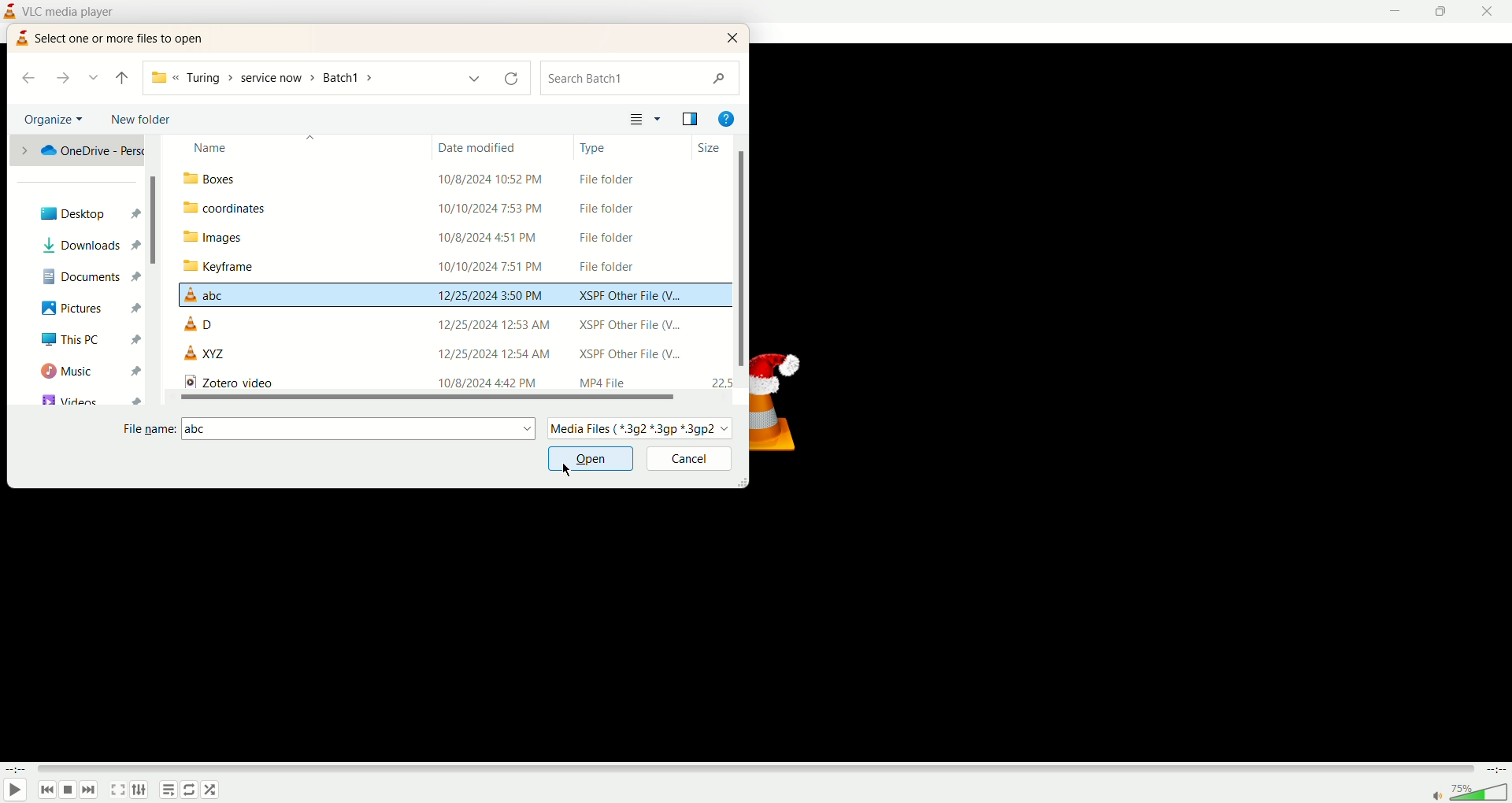 The height and width of the screenshot is (803, 1512). I want to click on downloads, so click(88, 246).